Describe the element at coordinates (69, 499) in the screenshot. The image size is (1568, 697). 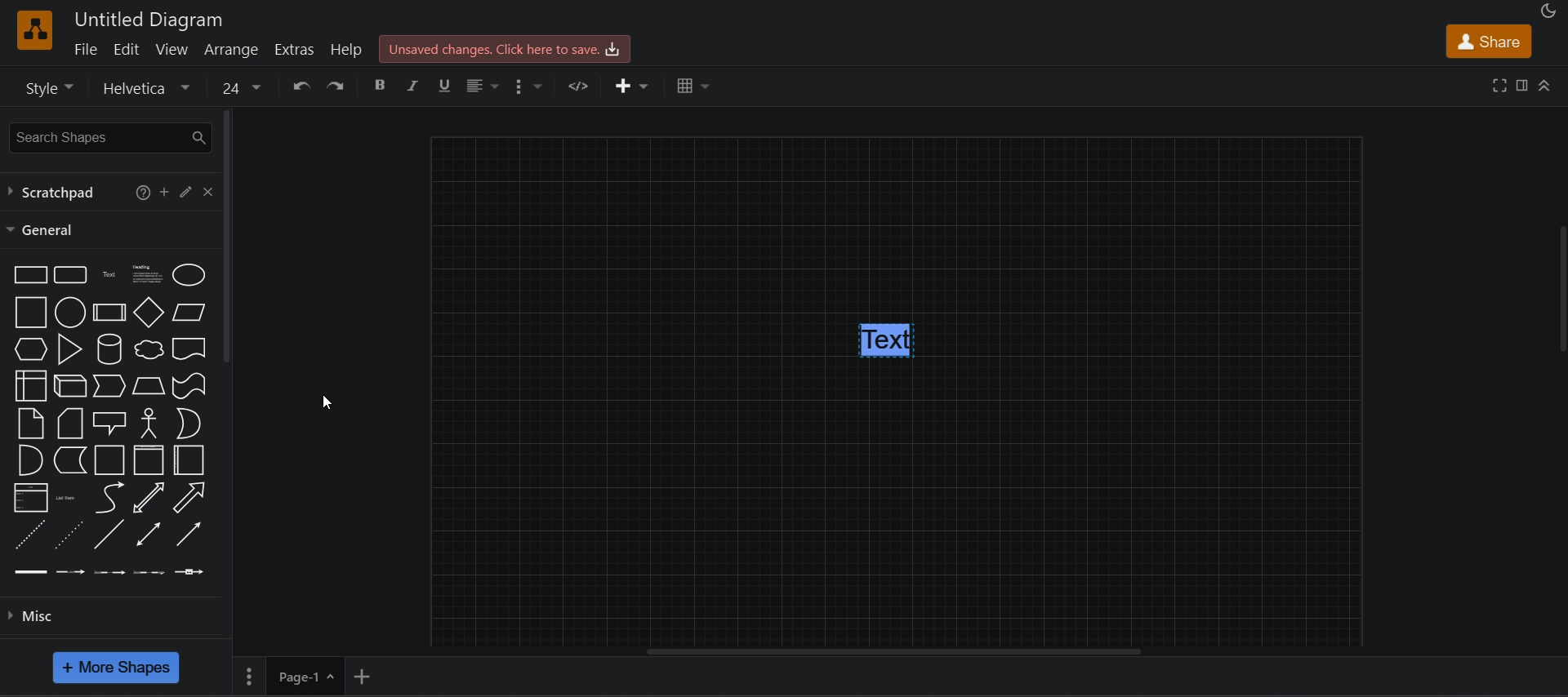
I see `List item` at that location.